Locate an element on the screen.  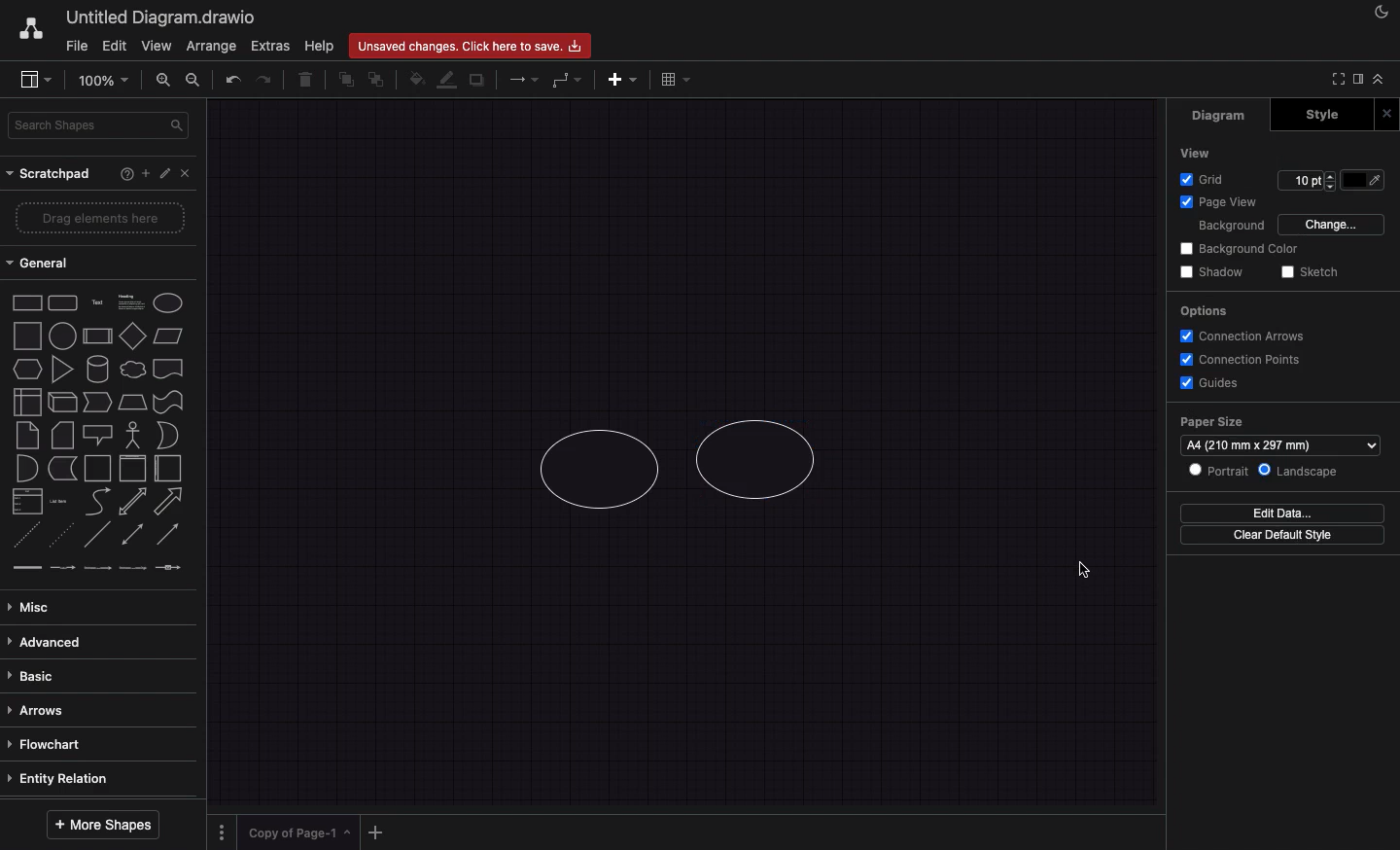
data storage is located at coordinates (61, 468).